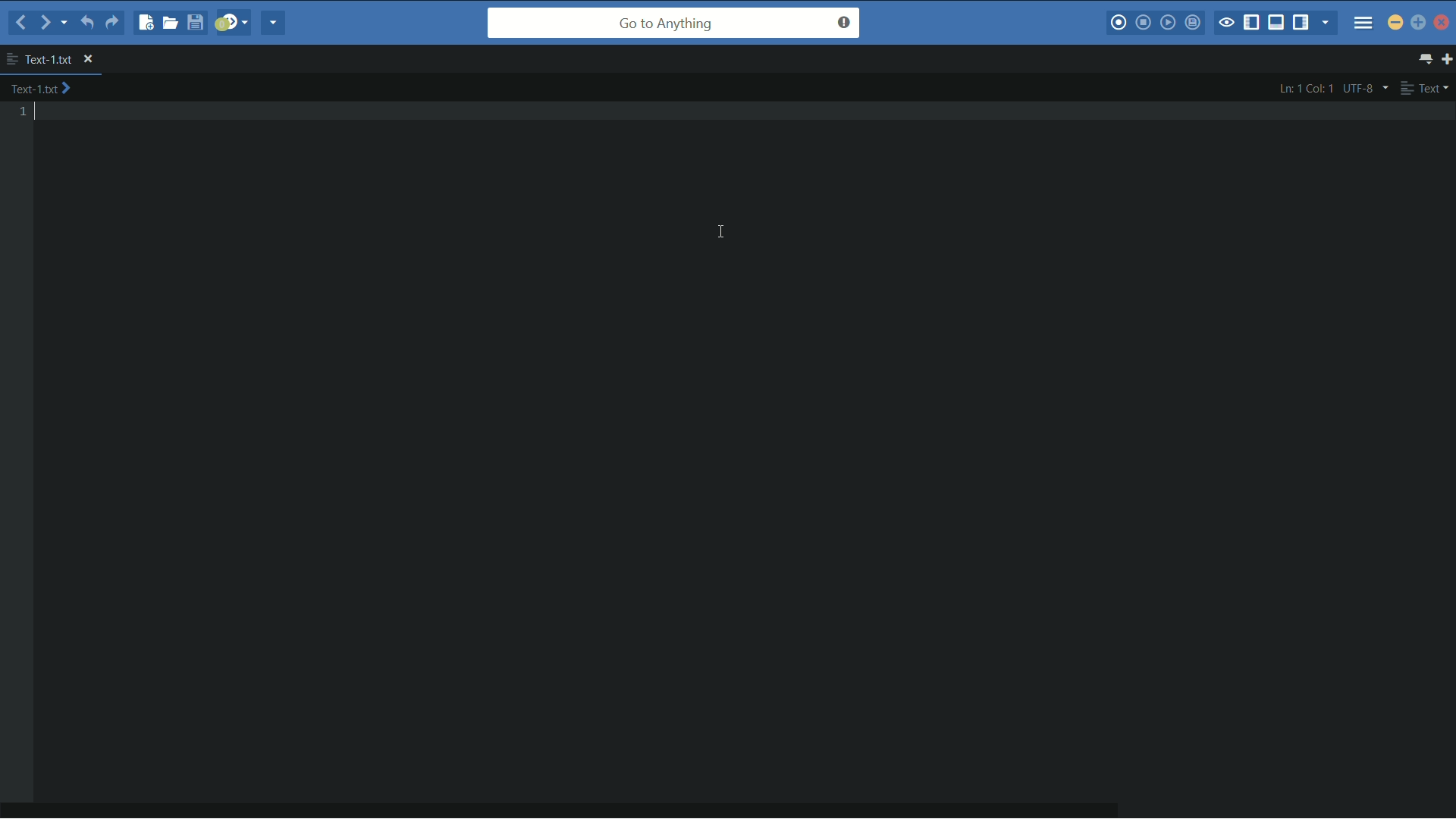 The height and width of the screenshot is (819, 1456). I want to click on show all tab, so click(1427, 59).